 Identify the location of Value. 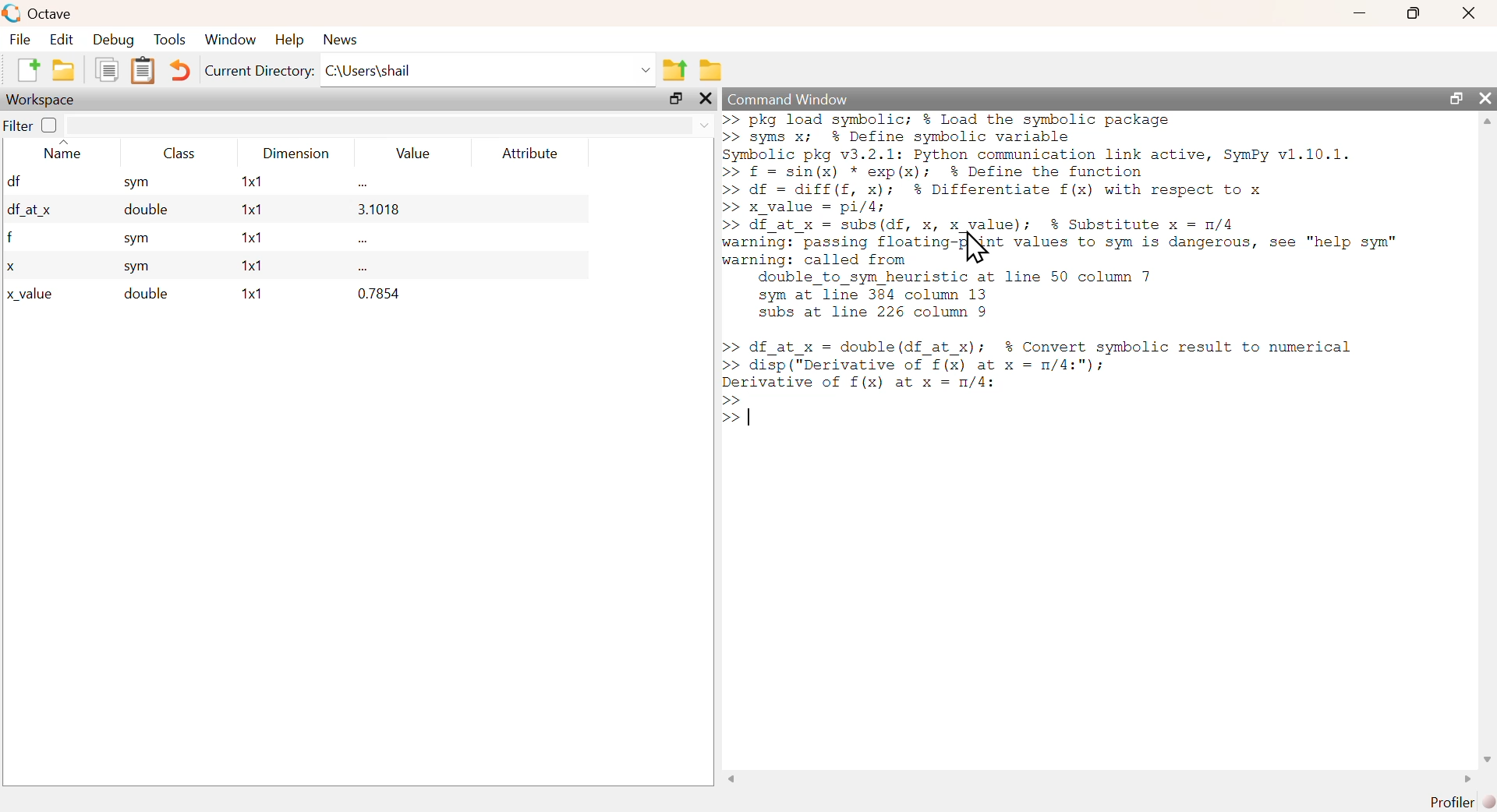
(409, 153).